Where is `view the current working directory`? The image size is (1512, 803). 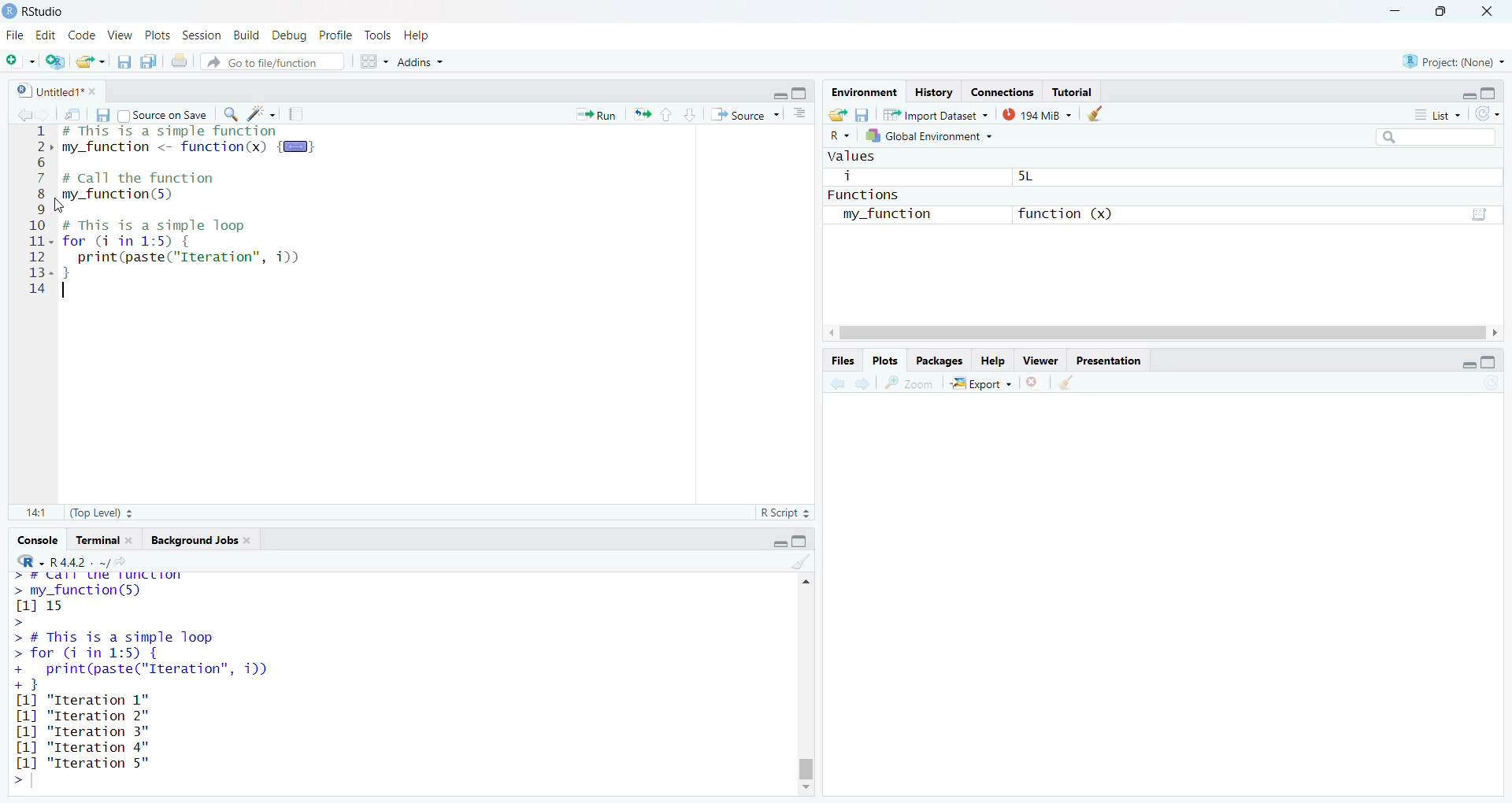 view the current working directory is located at coordinates (128, 561).